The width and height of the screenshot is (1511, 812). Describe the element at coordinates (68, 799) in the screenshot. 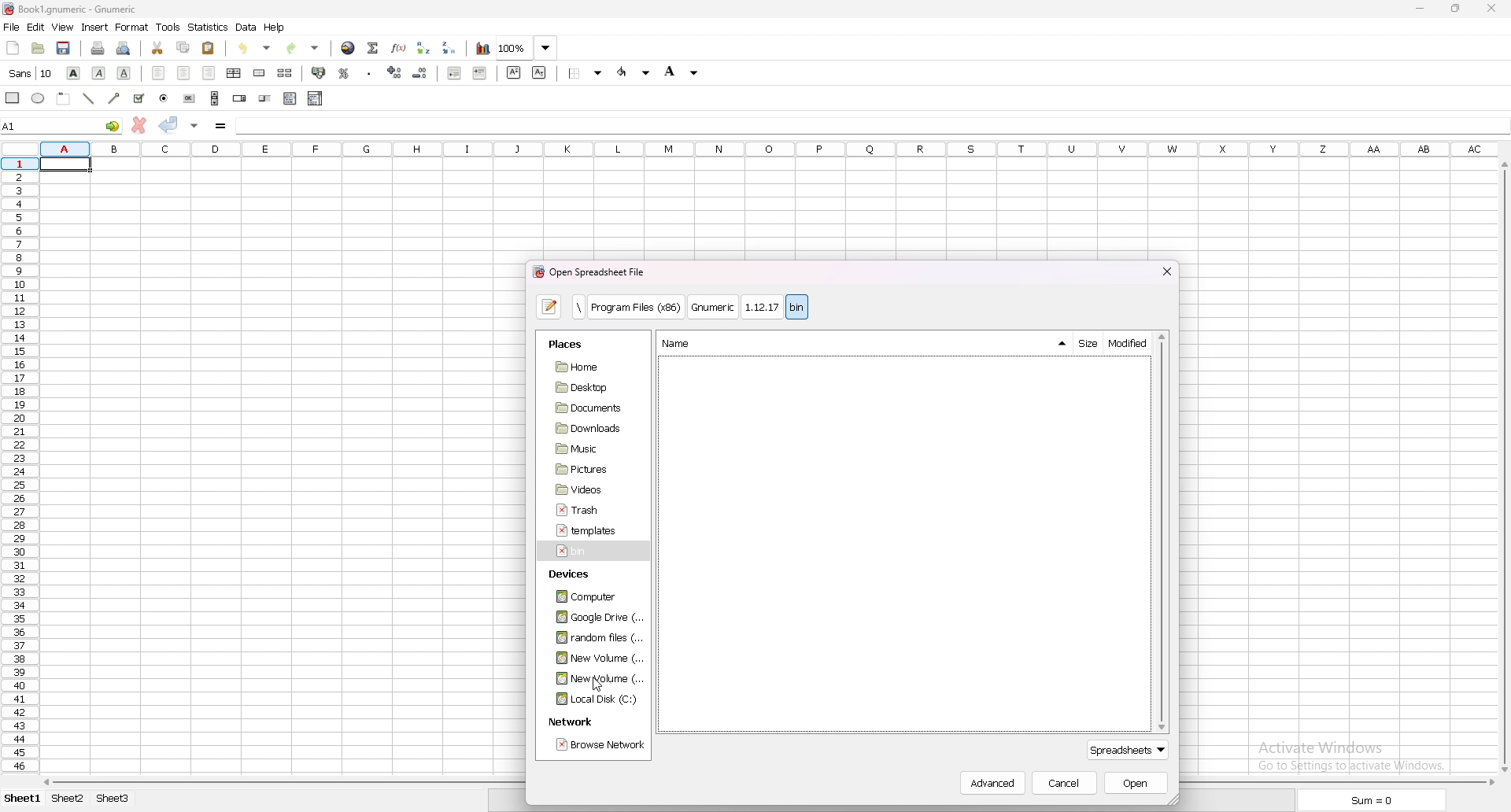

I see `sheet2` at that location.